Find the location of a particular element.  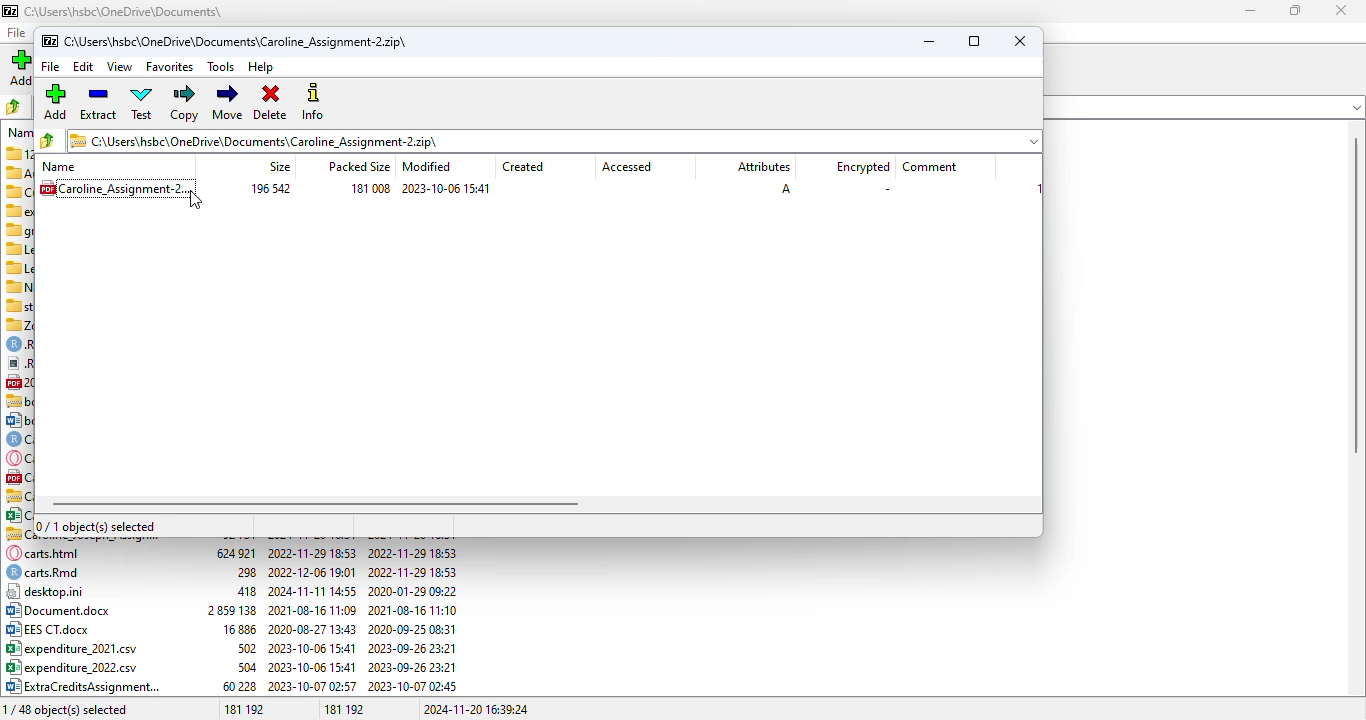

close is located at coordinates (1021, 41).